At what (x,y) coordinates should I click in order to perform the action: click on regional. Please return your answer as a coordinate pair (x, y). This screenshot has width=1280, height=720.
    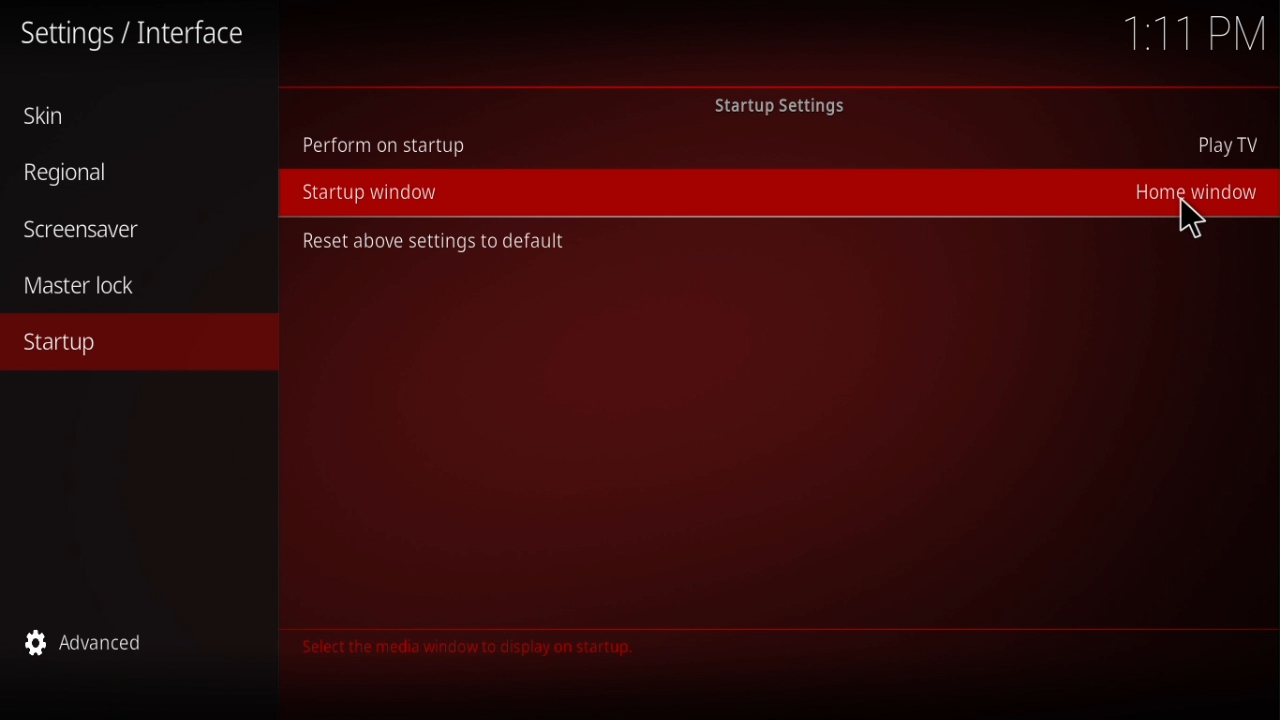
    Looking at the image, I should click on (75, 174).